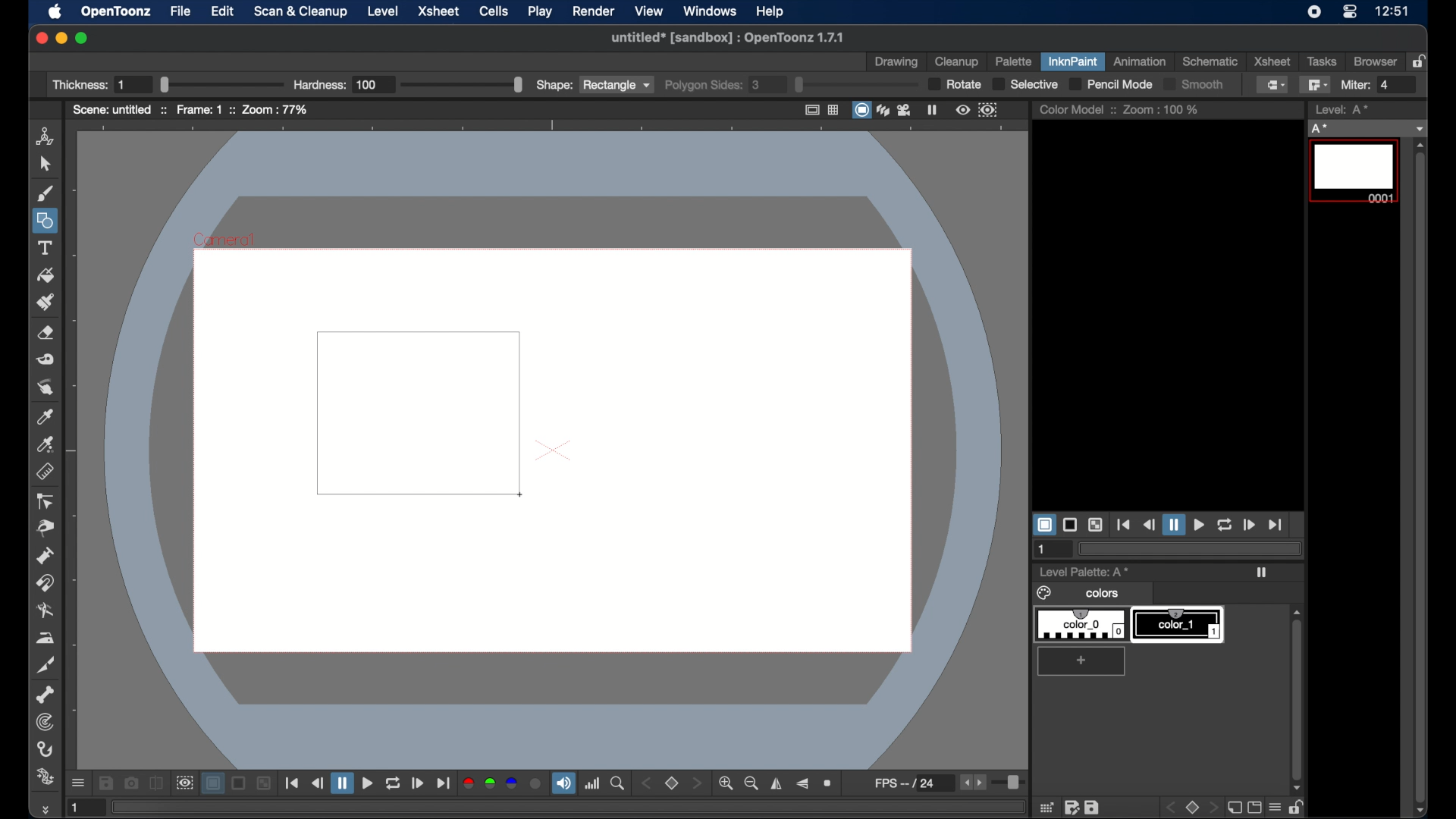 This screenshot has width=1456, height=819. Describe the element at coordinates (933, 109) in the screenshot. I see `freeze` at that location.